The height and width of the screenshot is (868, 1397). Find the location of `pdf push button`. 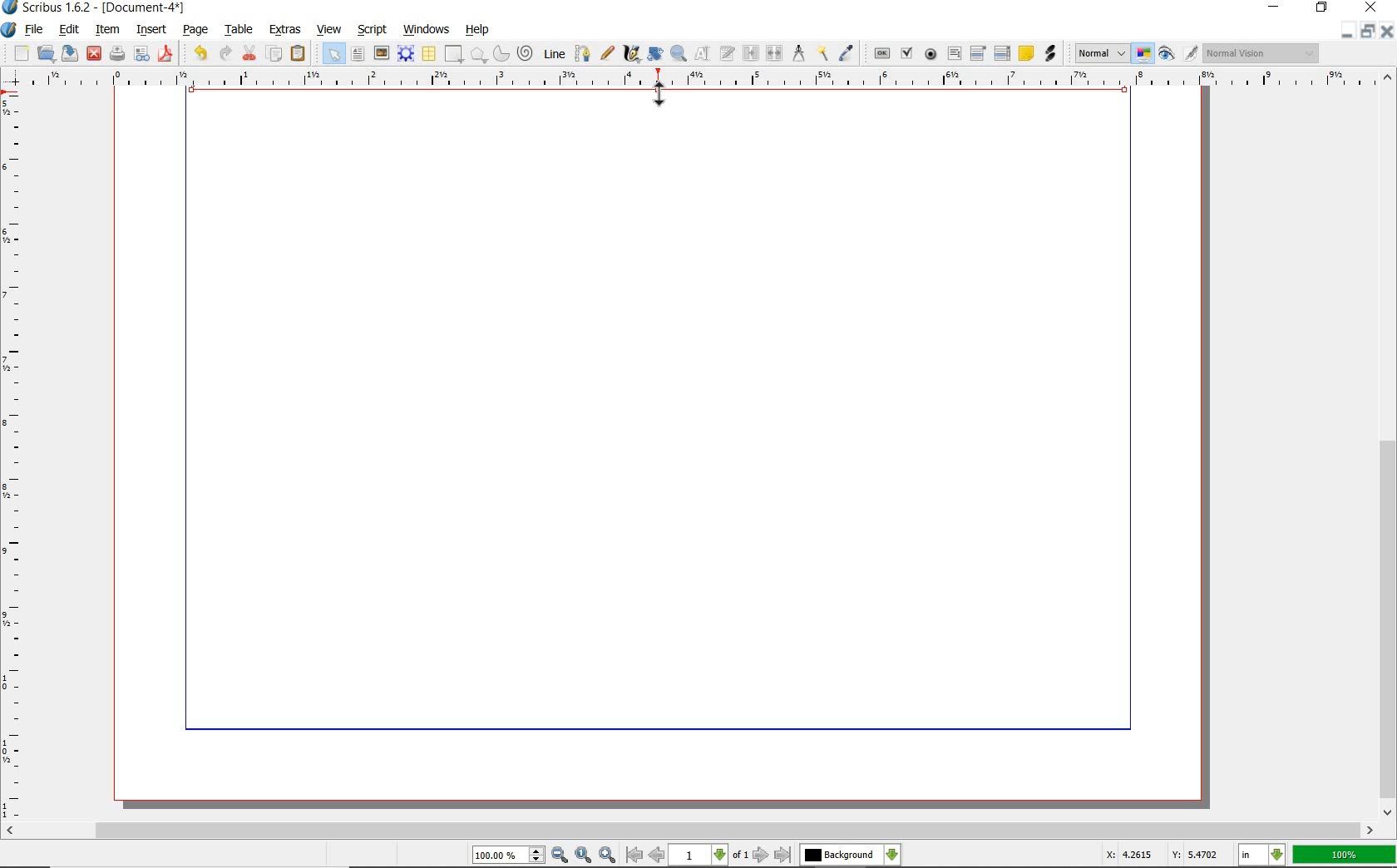

pdf push button is located at coordinates (879, 52).